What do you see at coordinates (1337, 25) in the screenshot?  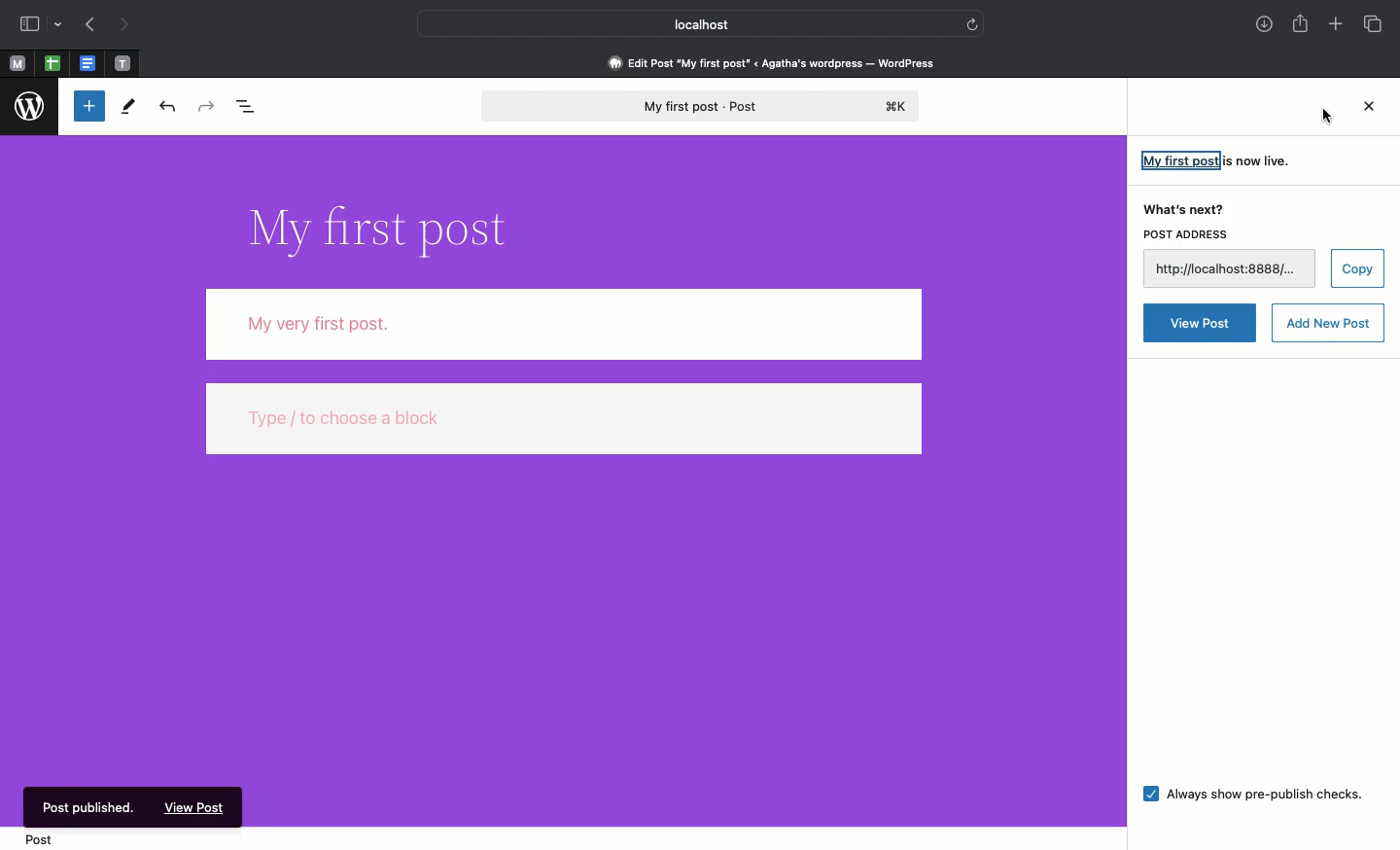 I see `Add new tab` at bounding box center [1337, 25].